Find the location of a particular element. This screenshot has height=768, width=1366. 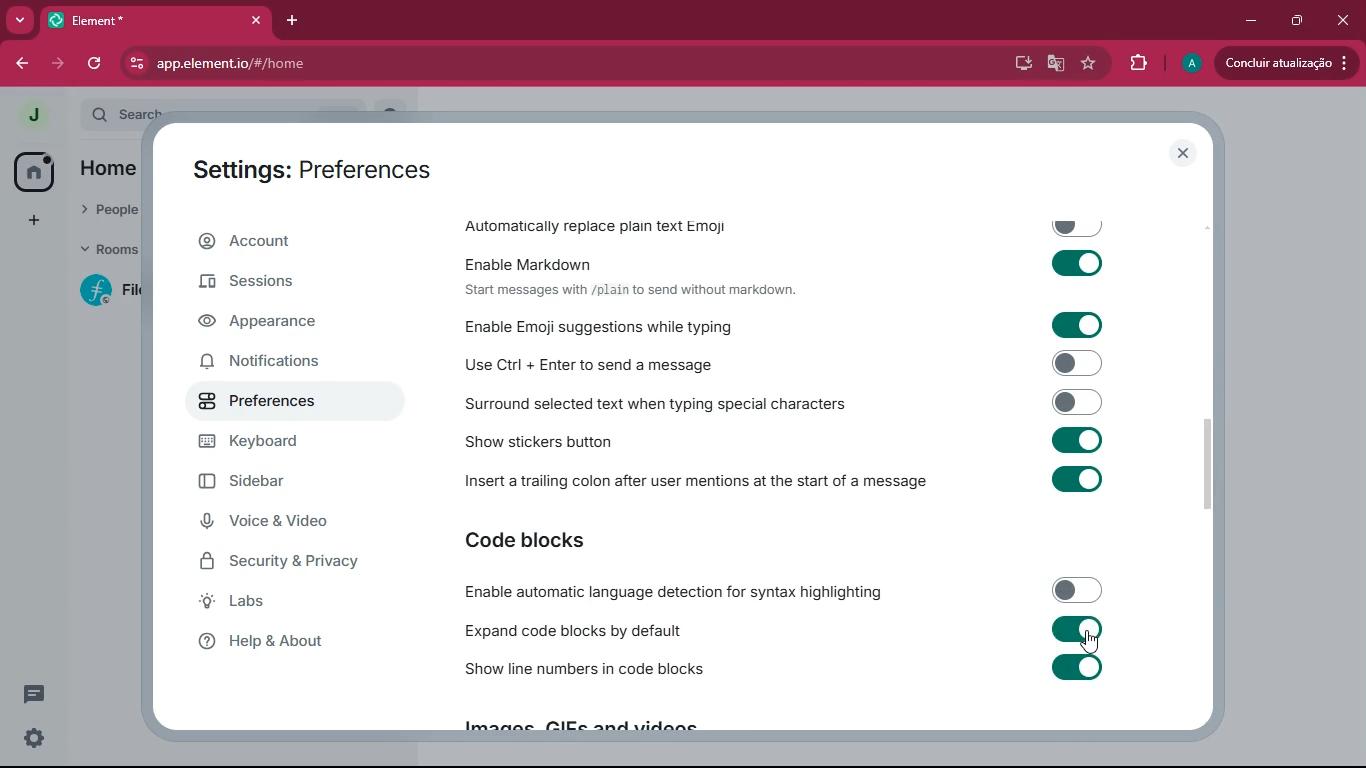

voice & video is located at coordinates (293, 521).